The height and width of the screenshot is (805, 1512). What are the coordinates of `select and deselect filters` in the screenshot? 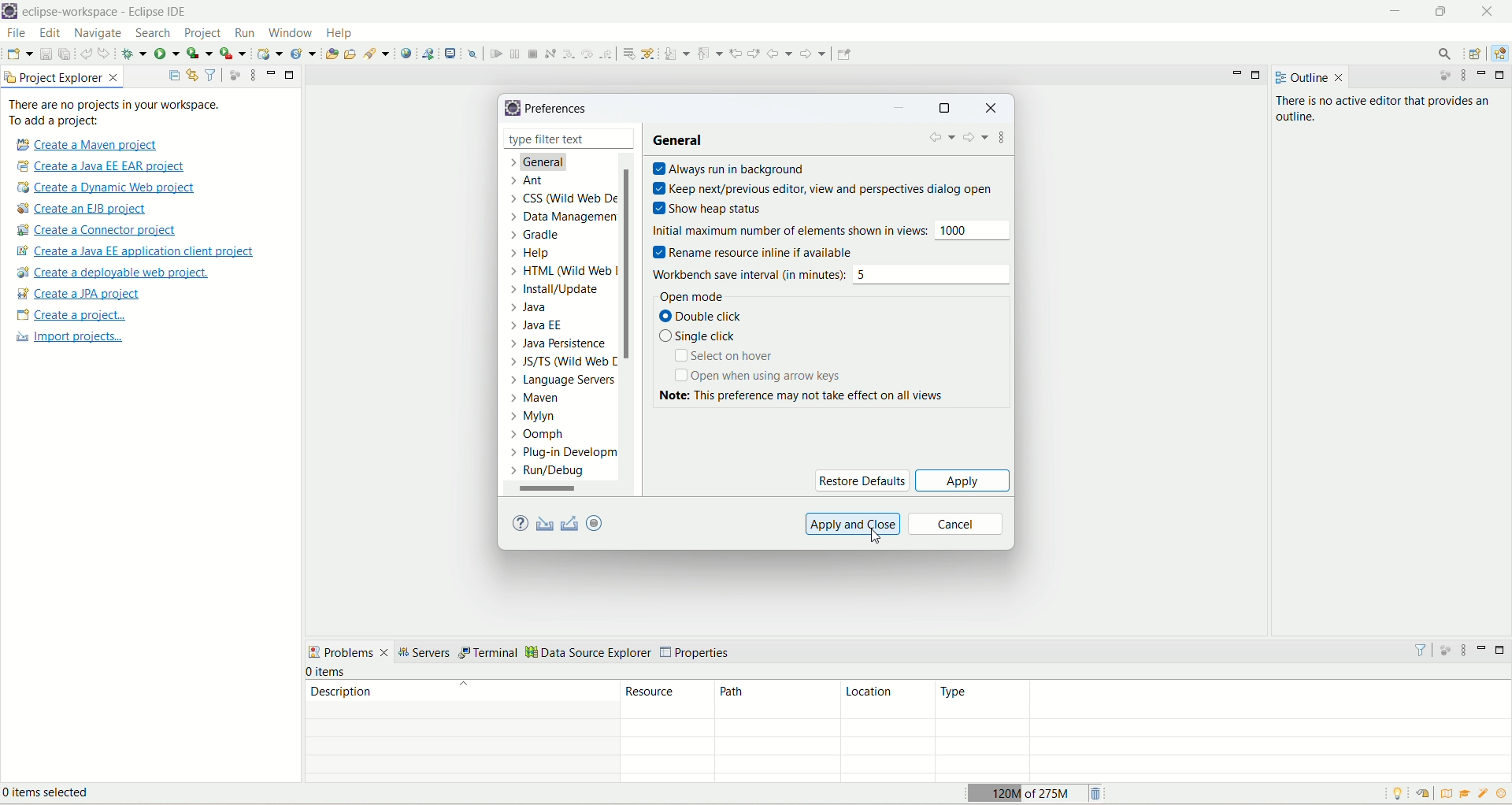 It's located at (212, 74).